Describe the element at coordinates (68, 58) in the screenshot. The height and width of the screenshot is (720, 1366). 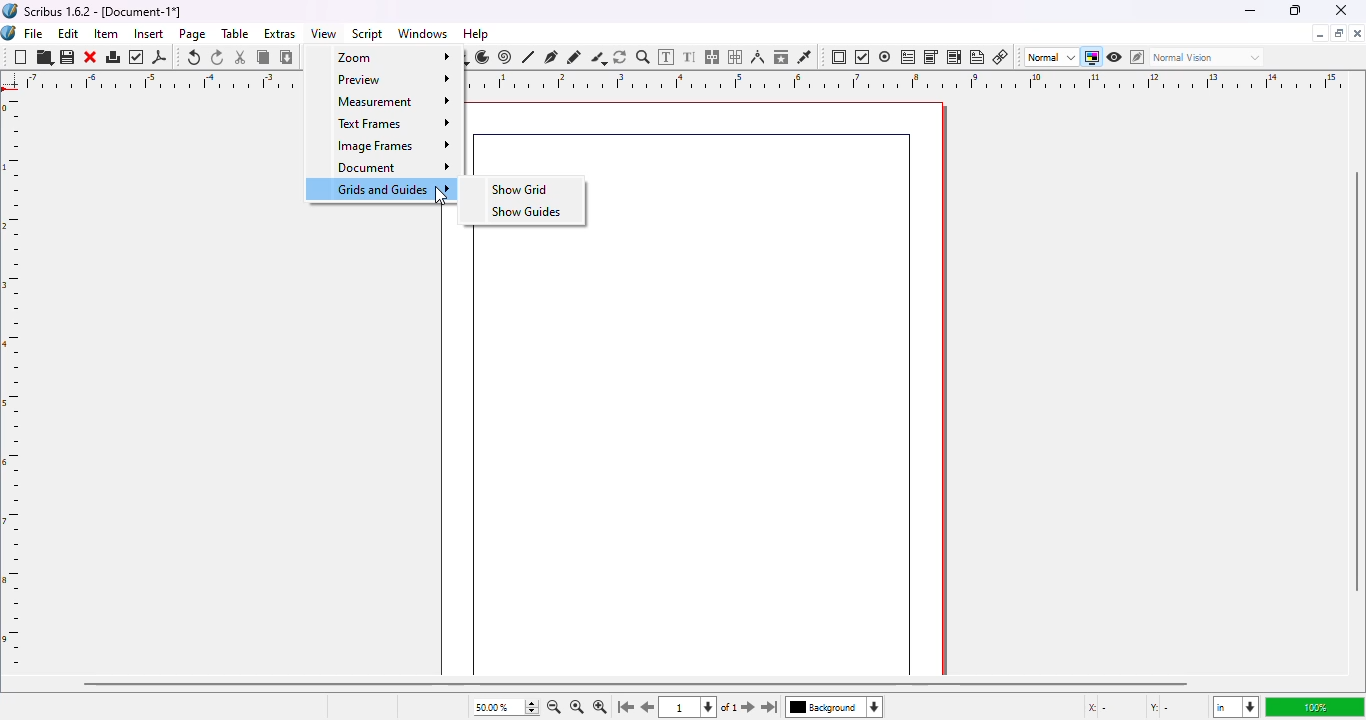
I see `save` at that location.